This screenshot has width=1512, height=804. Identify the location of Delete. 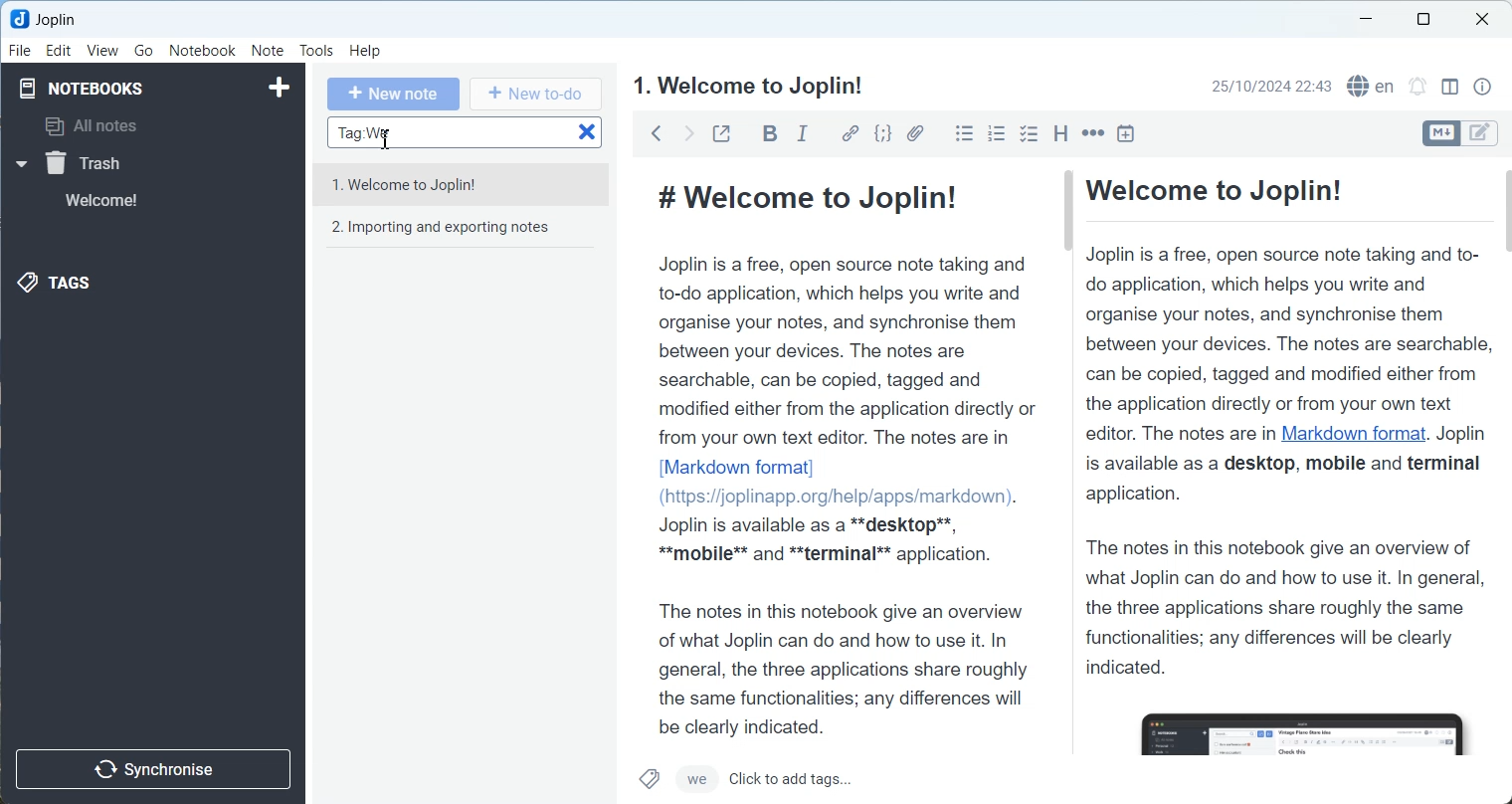
(587, 131).